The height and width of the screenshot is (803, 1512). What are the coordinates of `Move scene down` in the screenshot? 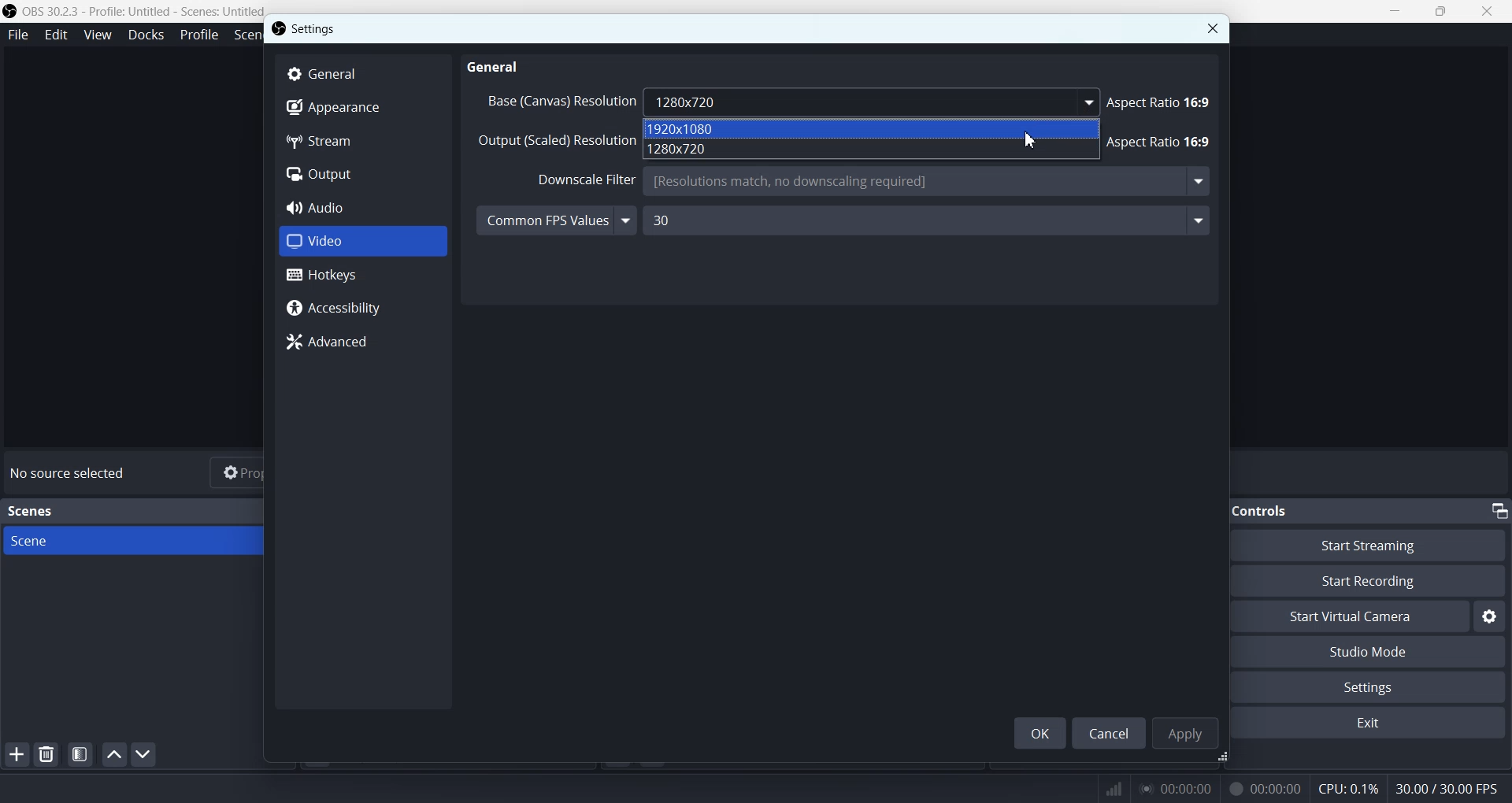 It's located at (143, 754).